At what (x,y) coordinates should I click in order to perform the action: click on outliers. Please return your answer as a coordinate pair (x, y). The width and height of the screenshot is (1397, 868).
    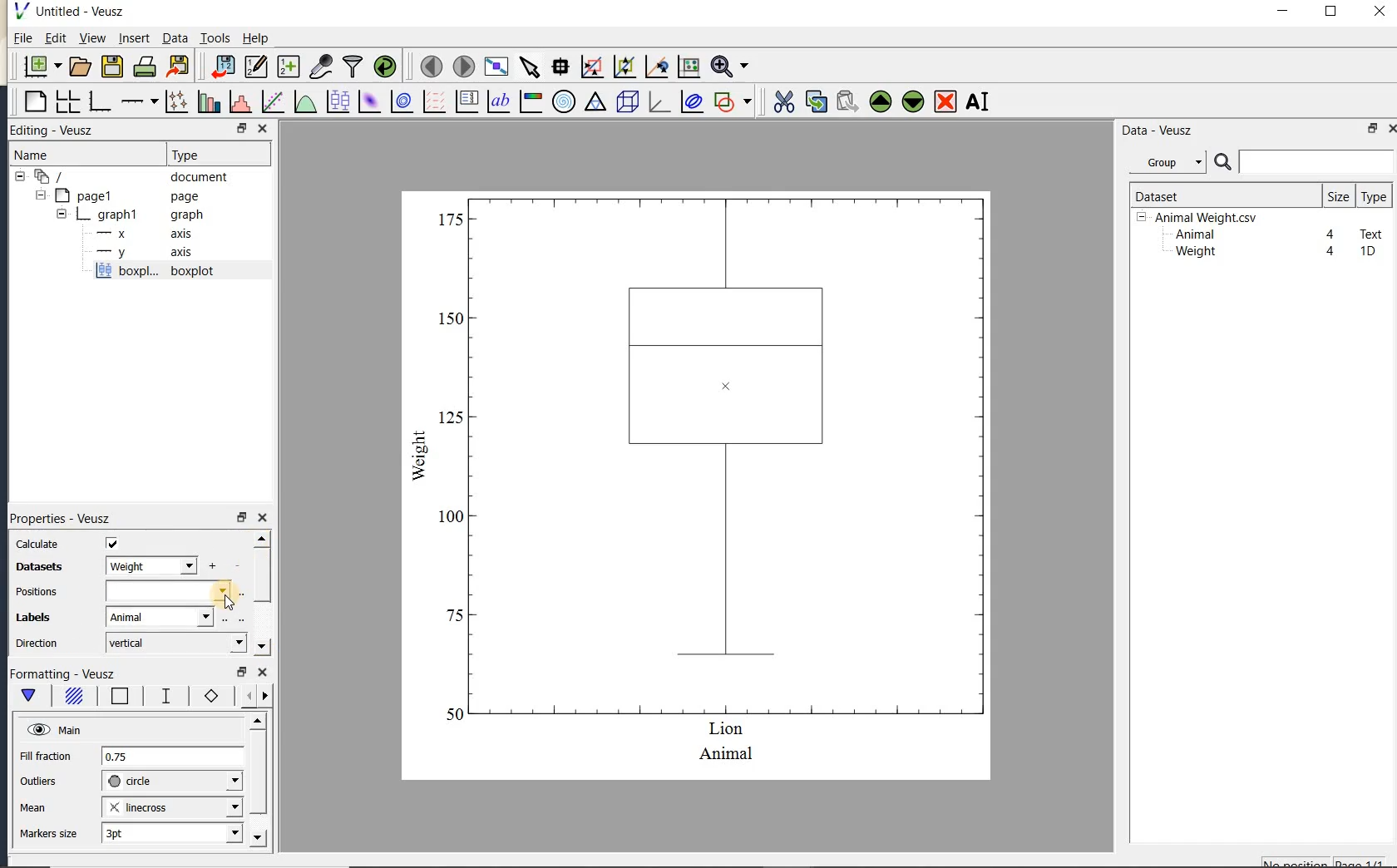
    Looking at the image, I should click on (39, 782).